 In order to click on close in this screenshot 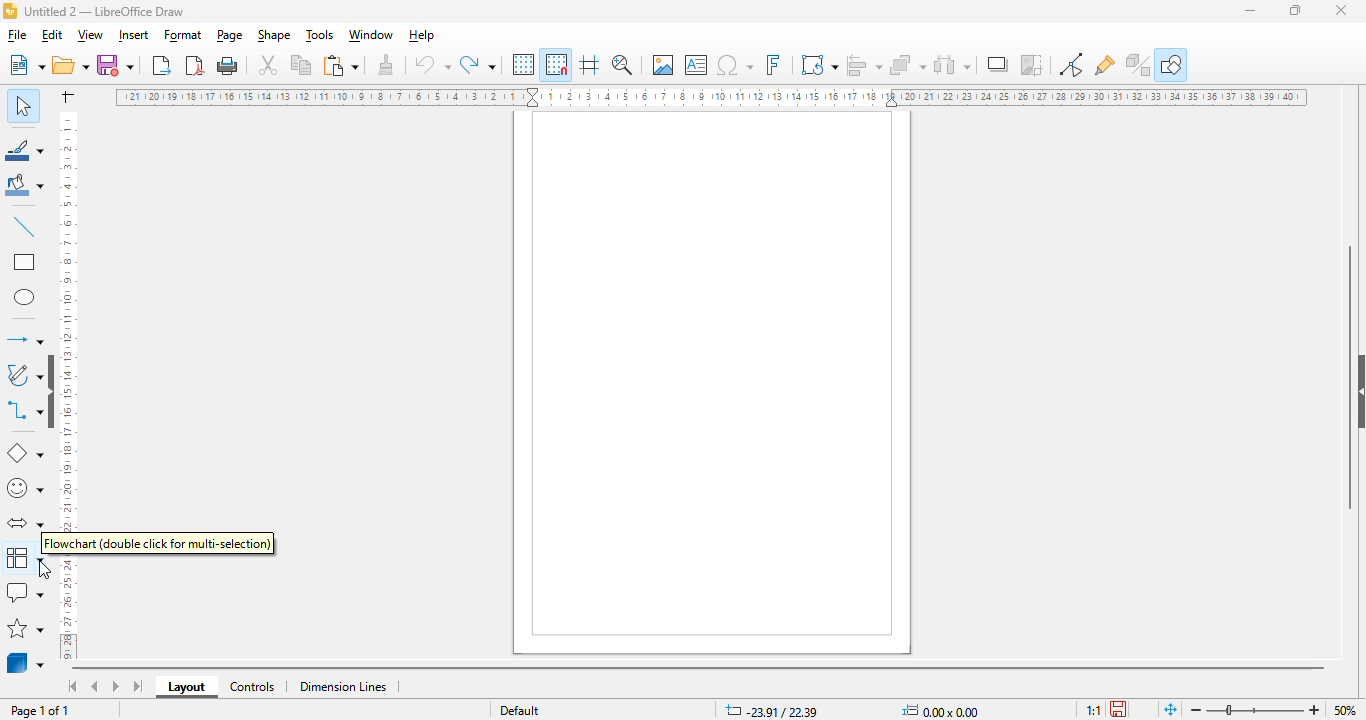, I will do `click(1341, 10)`.